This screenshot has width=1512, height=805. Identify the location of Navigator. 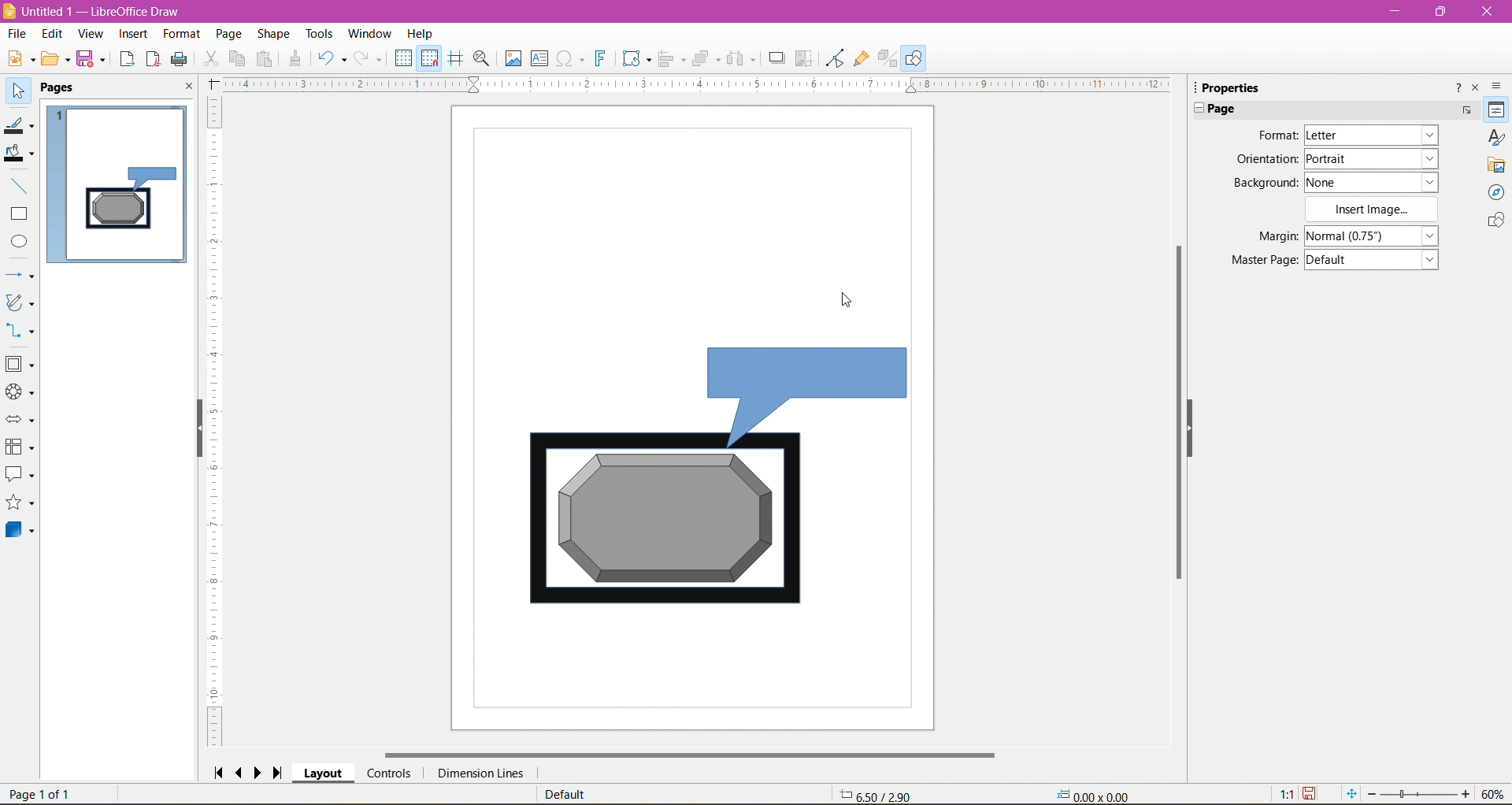
(1496, 193).